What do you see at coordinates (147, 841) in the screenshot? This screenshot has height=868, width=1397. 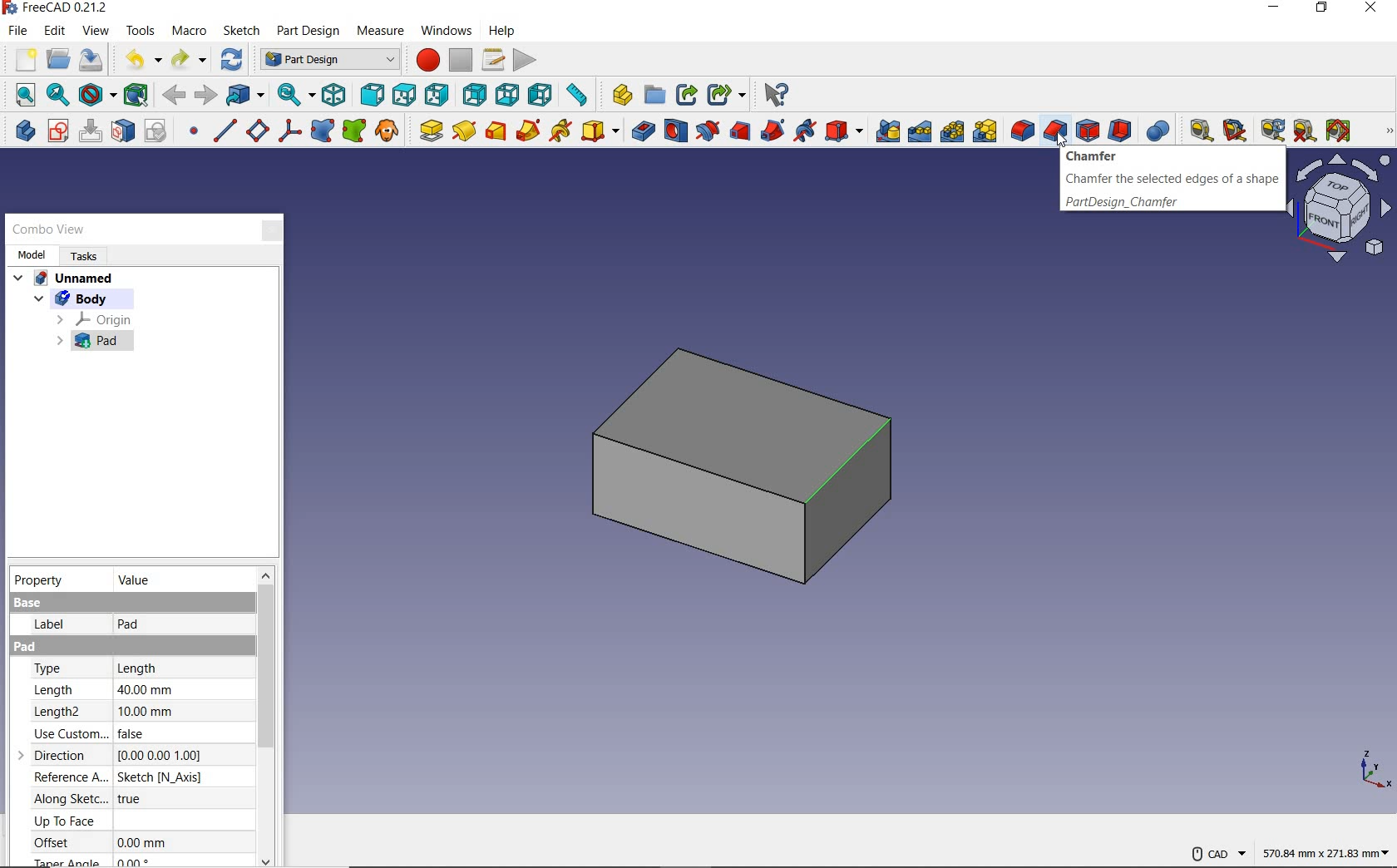 I see `0.00mm` at bounding box center [147, 841].